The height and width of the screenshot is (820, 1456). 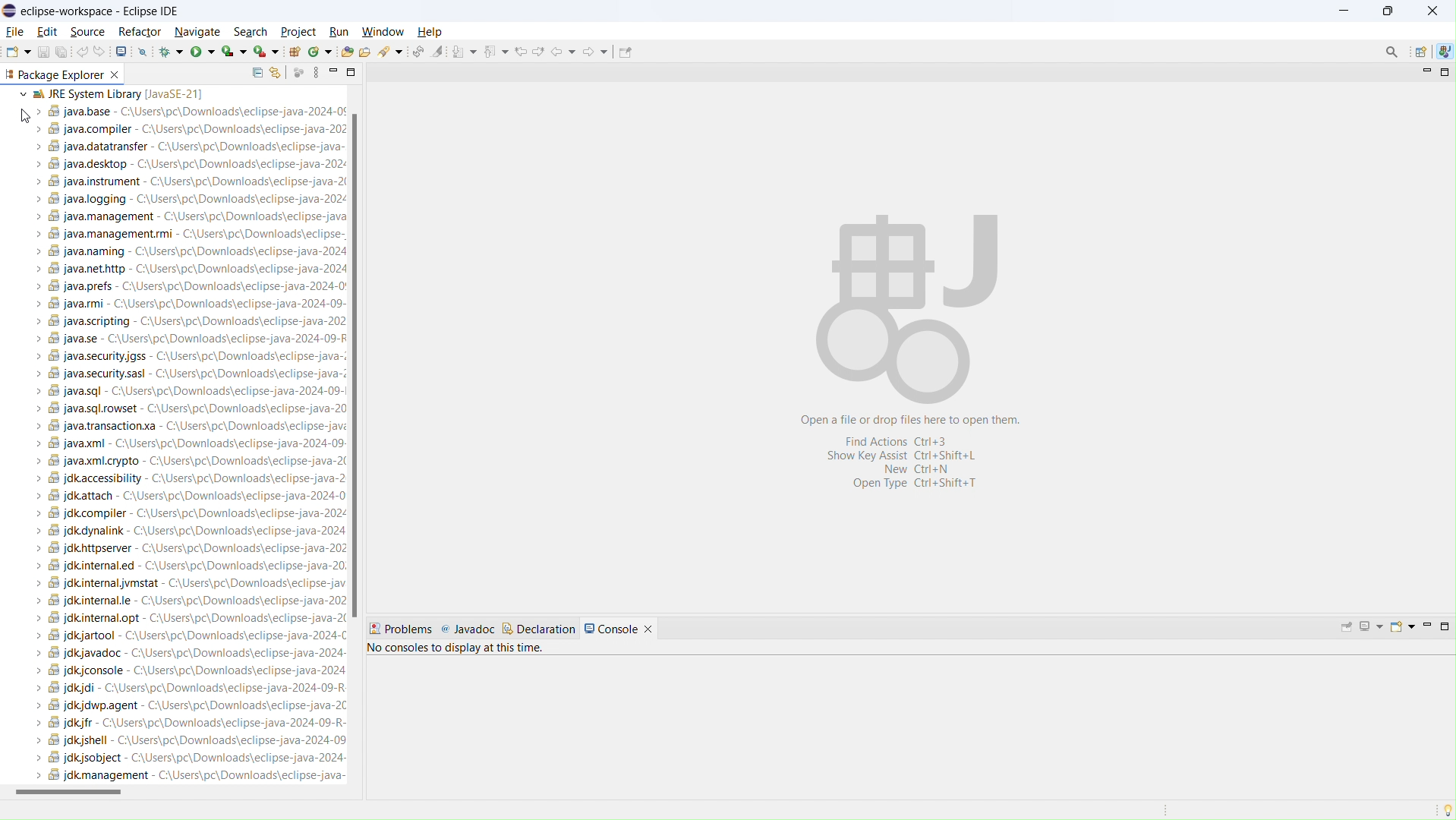 I want to click on minimize, so click(x=333, y=72).